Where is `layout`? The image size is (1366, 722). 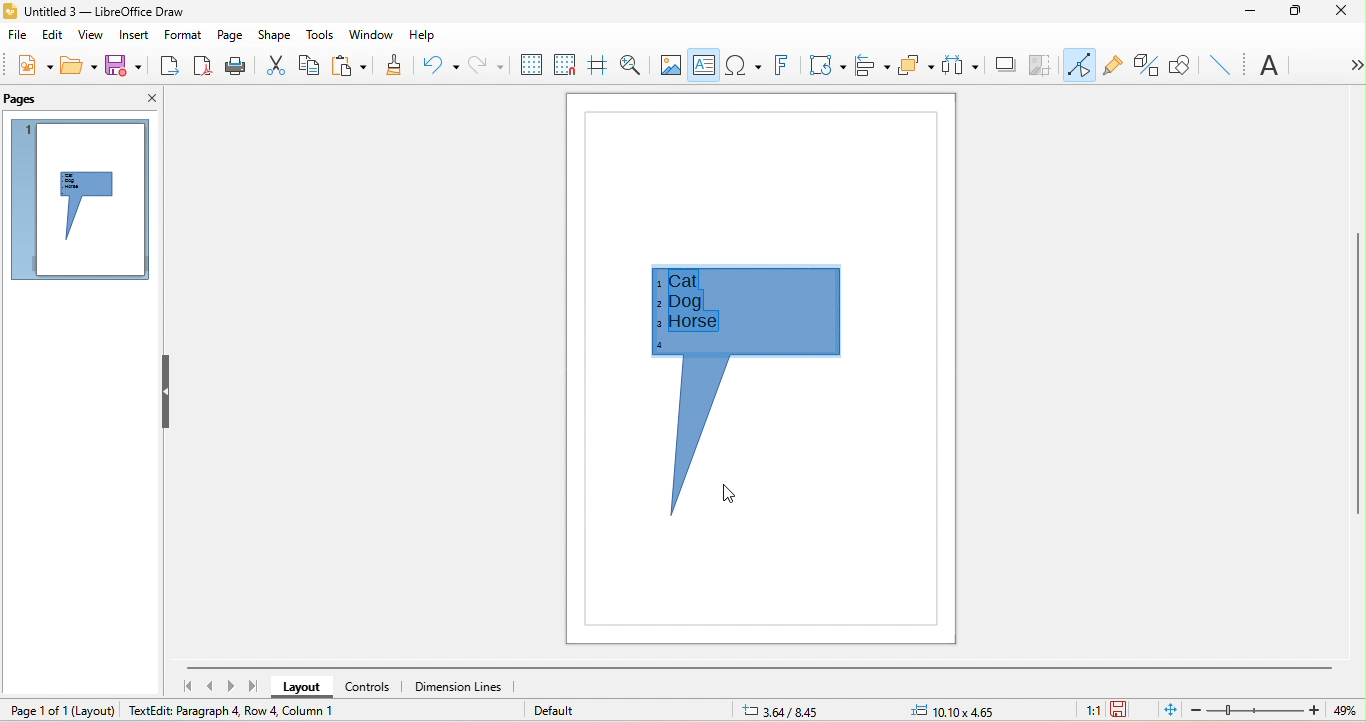
layout is located at coordinates (97, 708).